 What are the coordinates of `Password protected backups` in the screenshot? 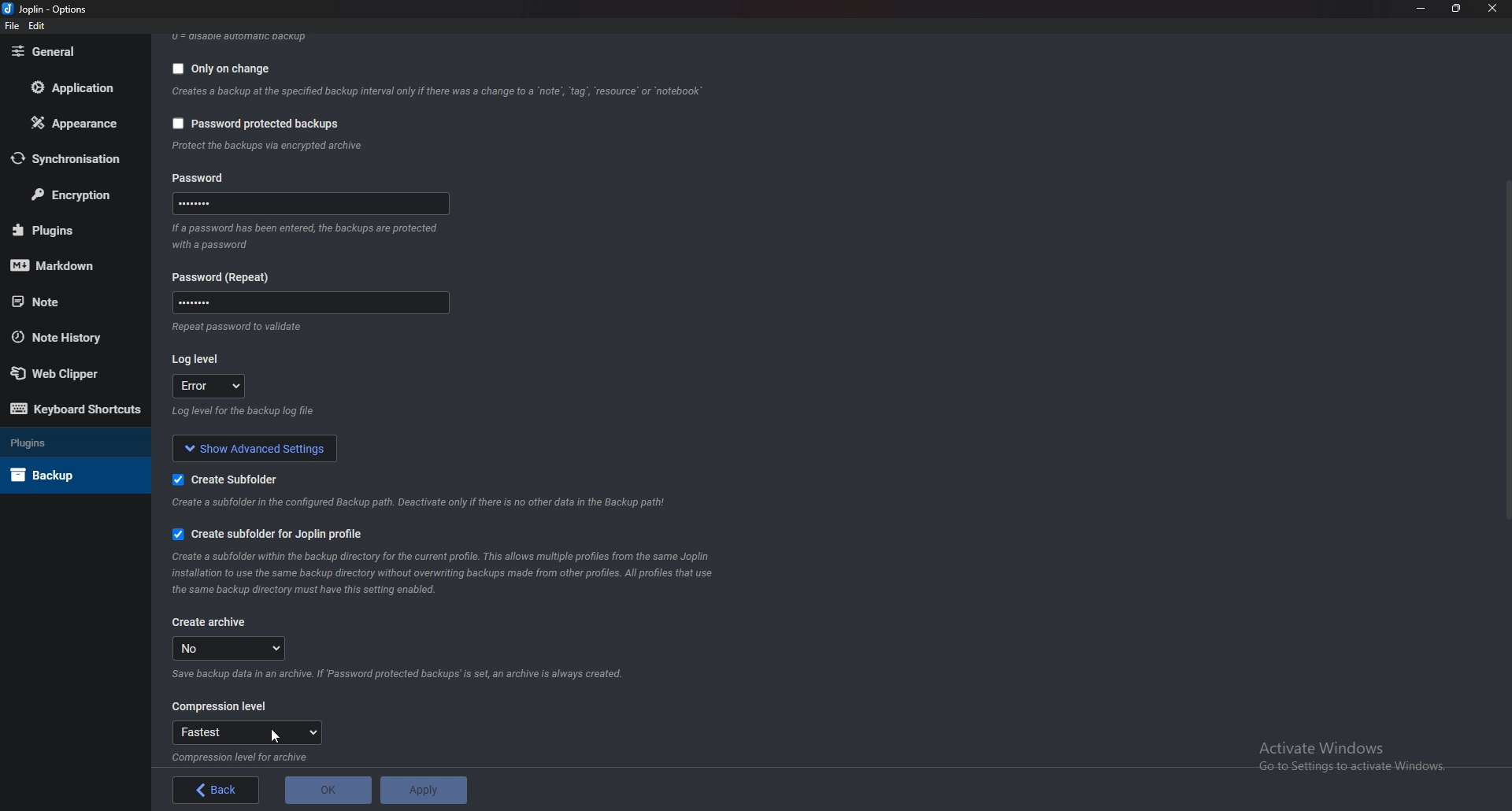 It's located at (258, 125).